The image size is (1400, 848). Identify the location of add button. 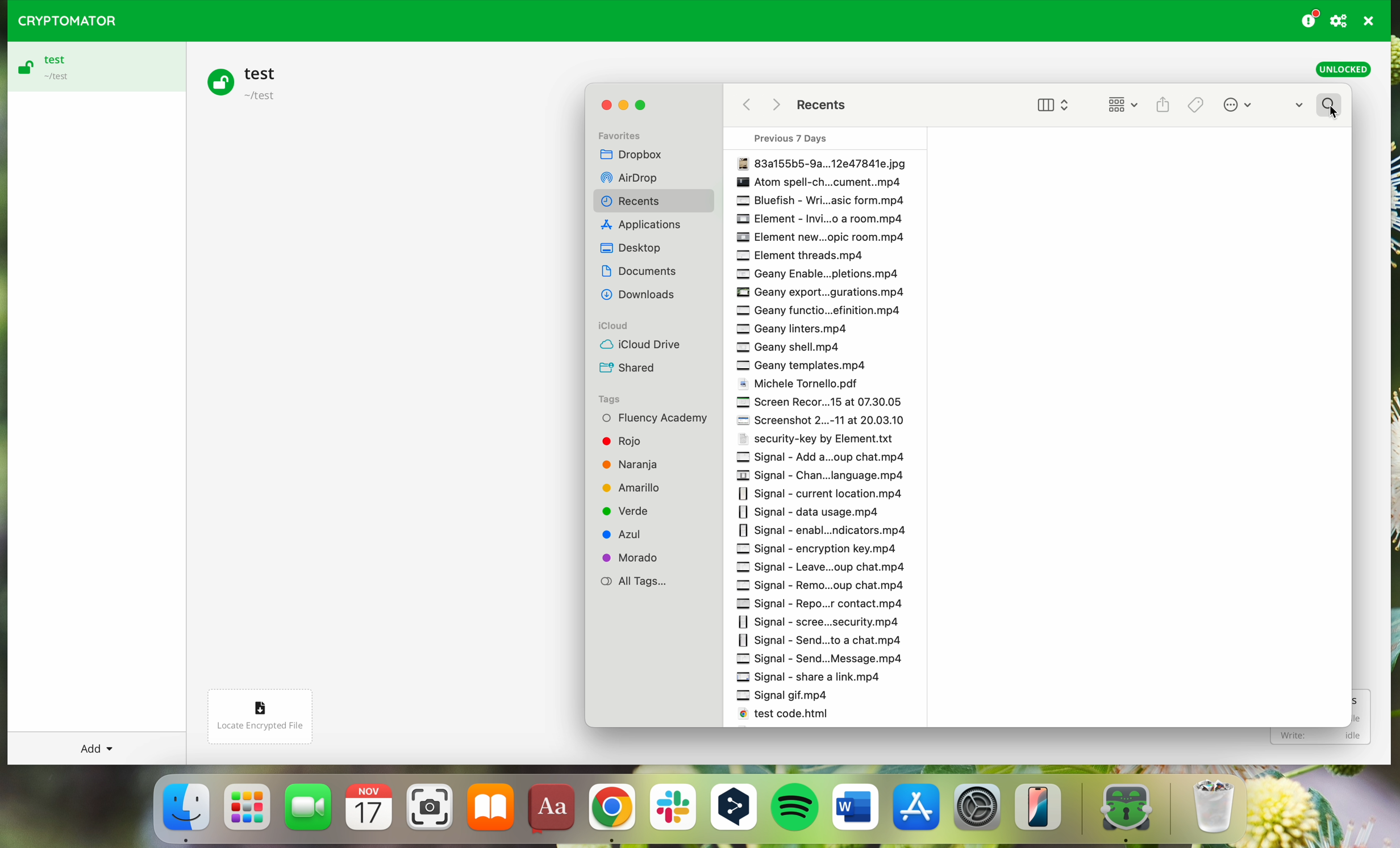
(94, 748).